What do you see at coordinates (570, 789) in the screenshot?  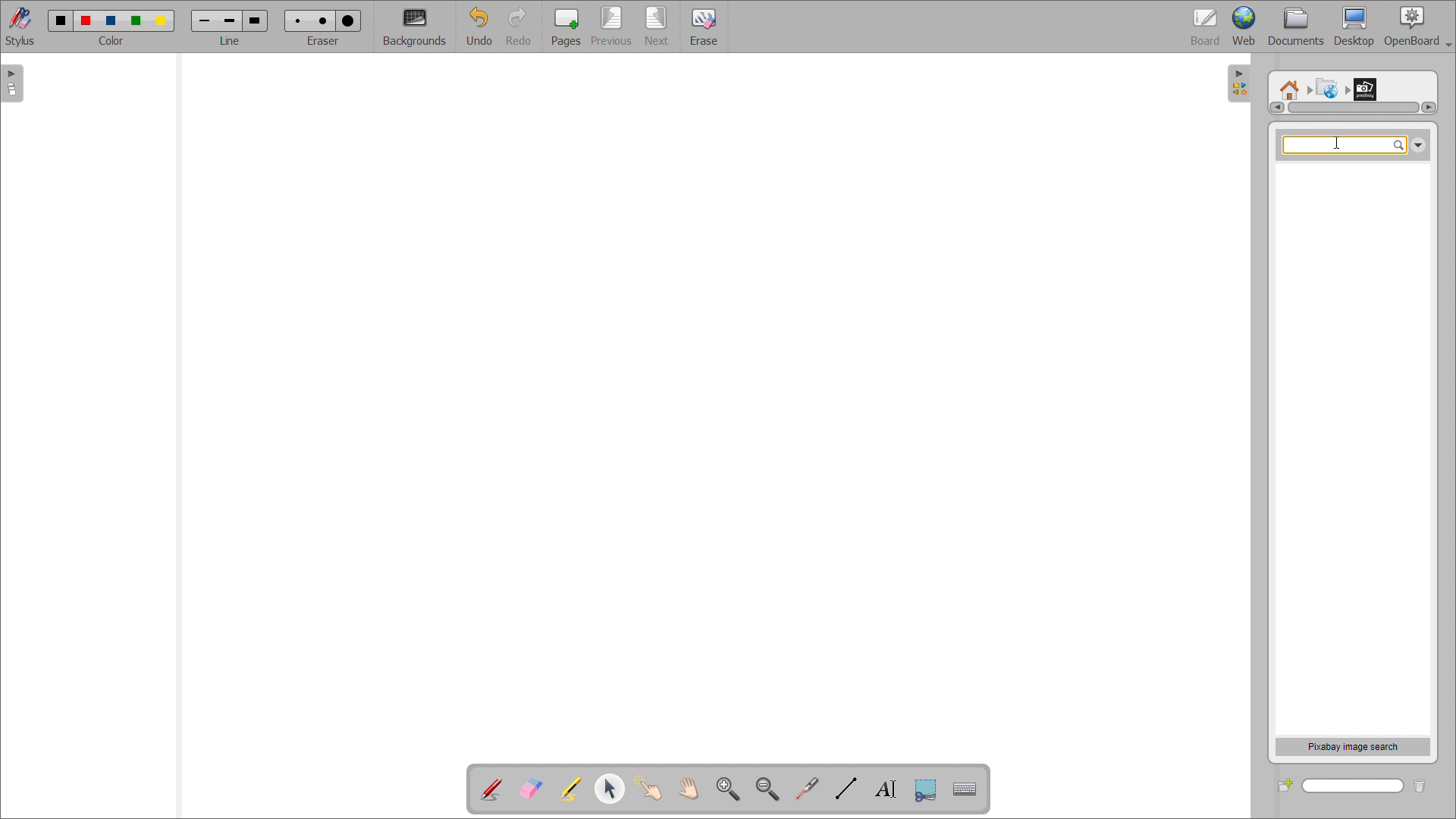 I see `highlighter` at bounding box center [570, 789].